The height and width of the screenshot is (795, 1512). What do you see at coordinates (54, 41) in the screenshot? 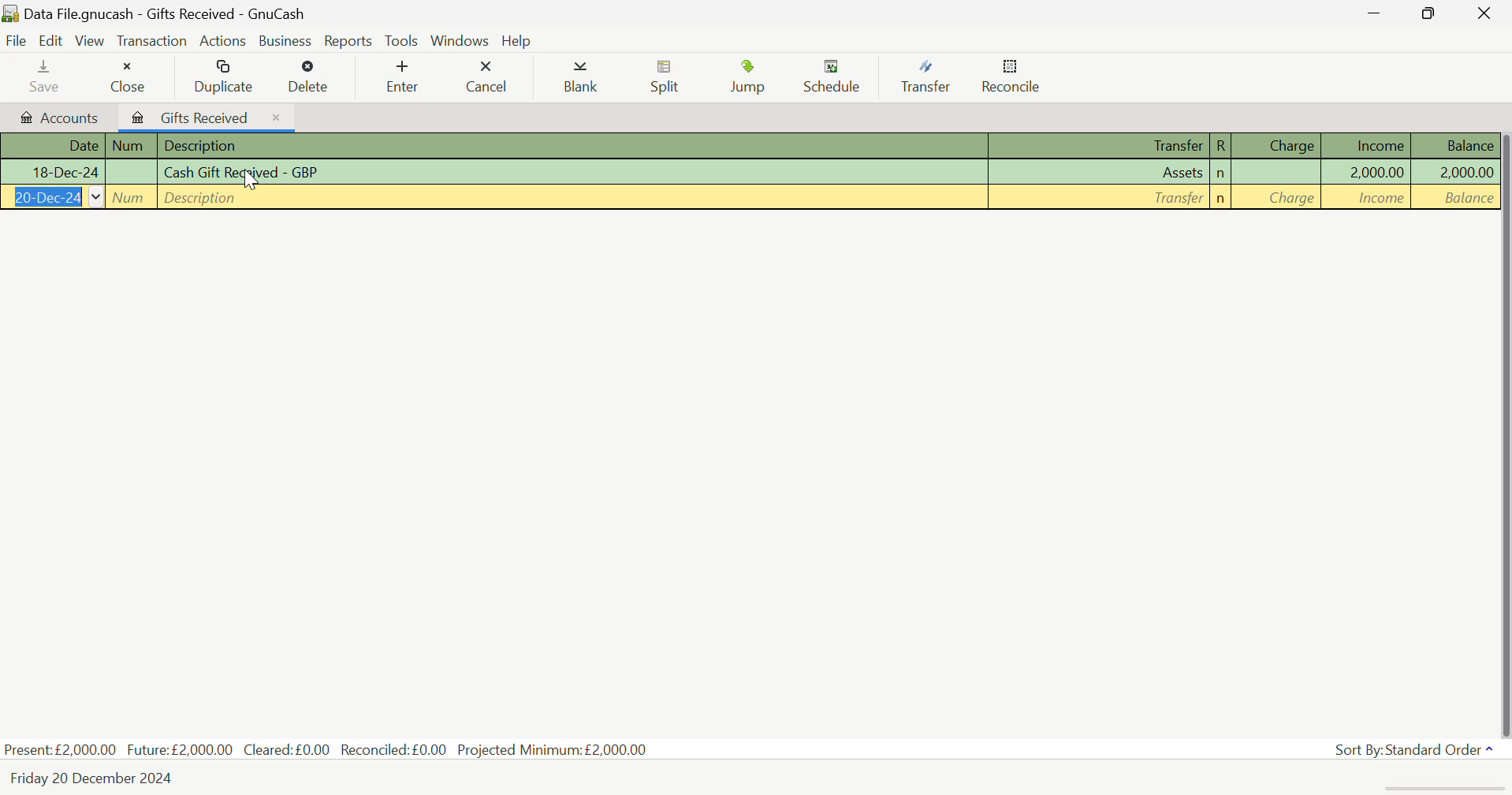
I see `Edit` at bounding box center [54, 41].